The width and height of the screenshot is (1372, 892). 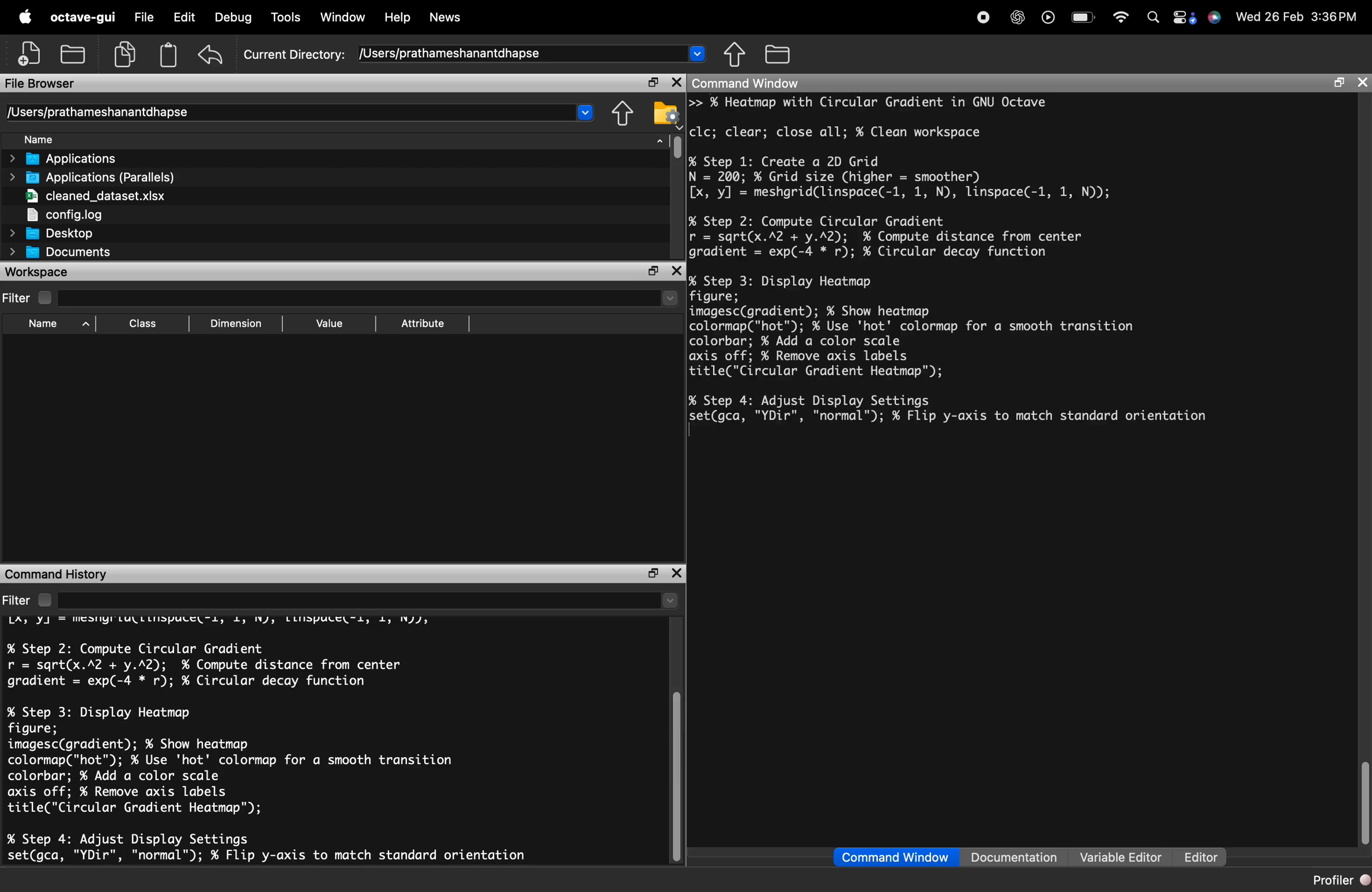 What do you see at coordinates (735, 55) in the screenshot?
I see `Browse directories` at bounding box center [735, 55].